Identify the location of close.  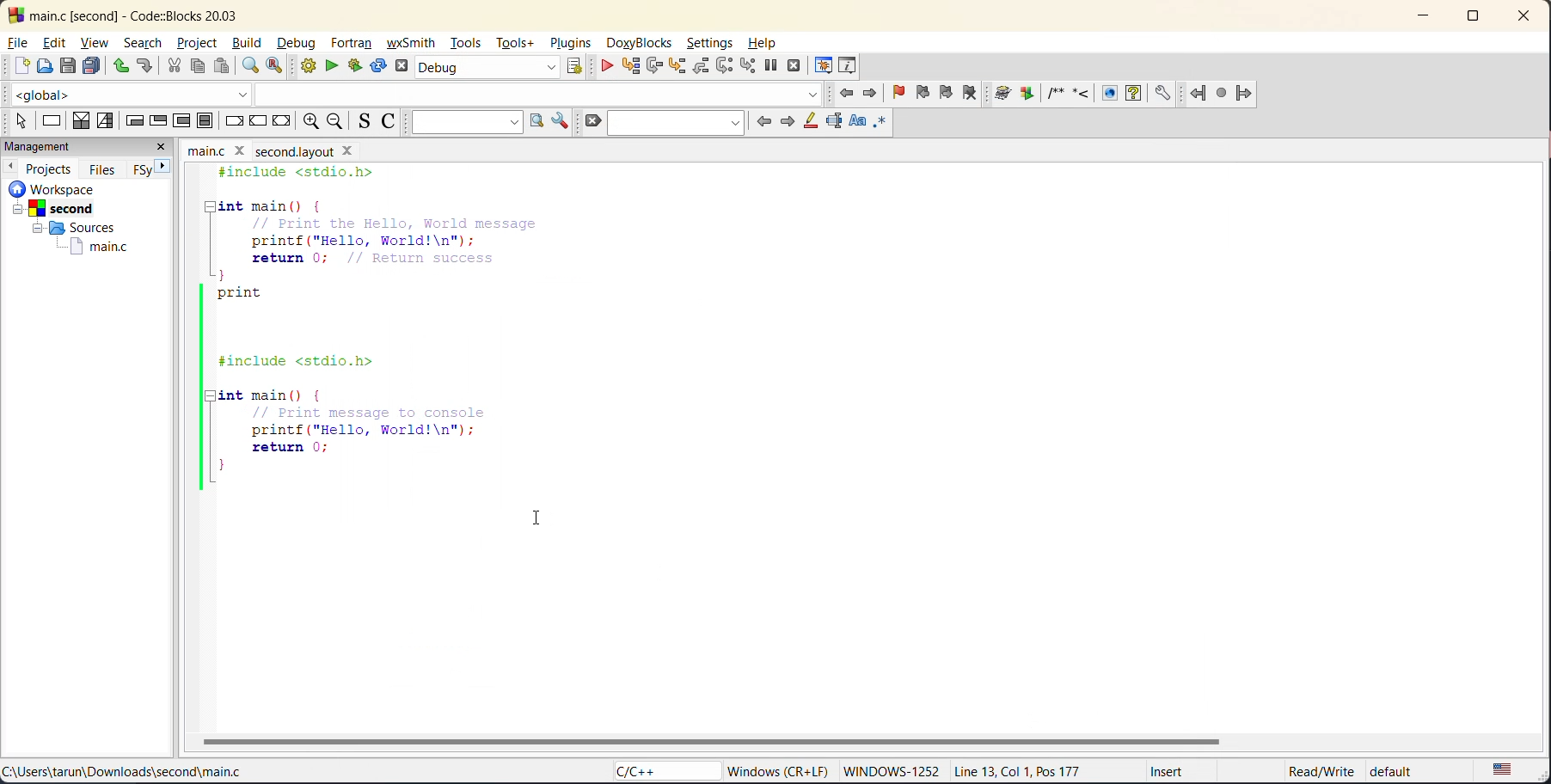
(1518, 19).